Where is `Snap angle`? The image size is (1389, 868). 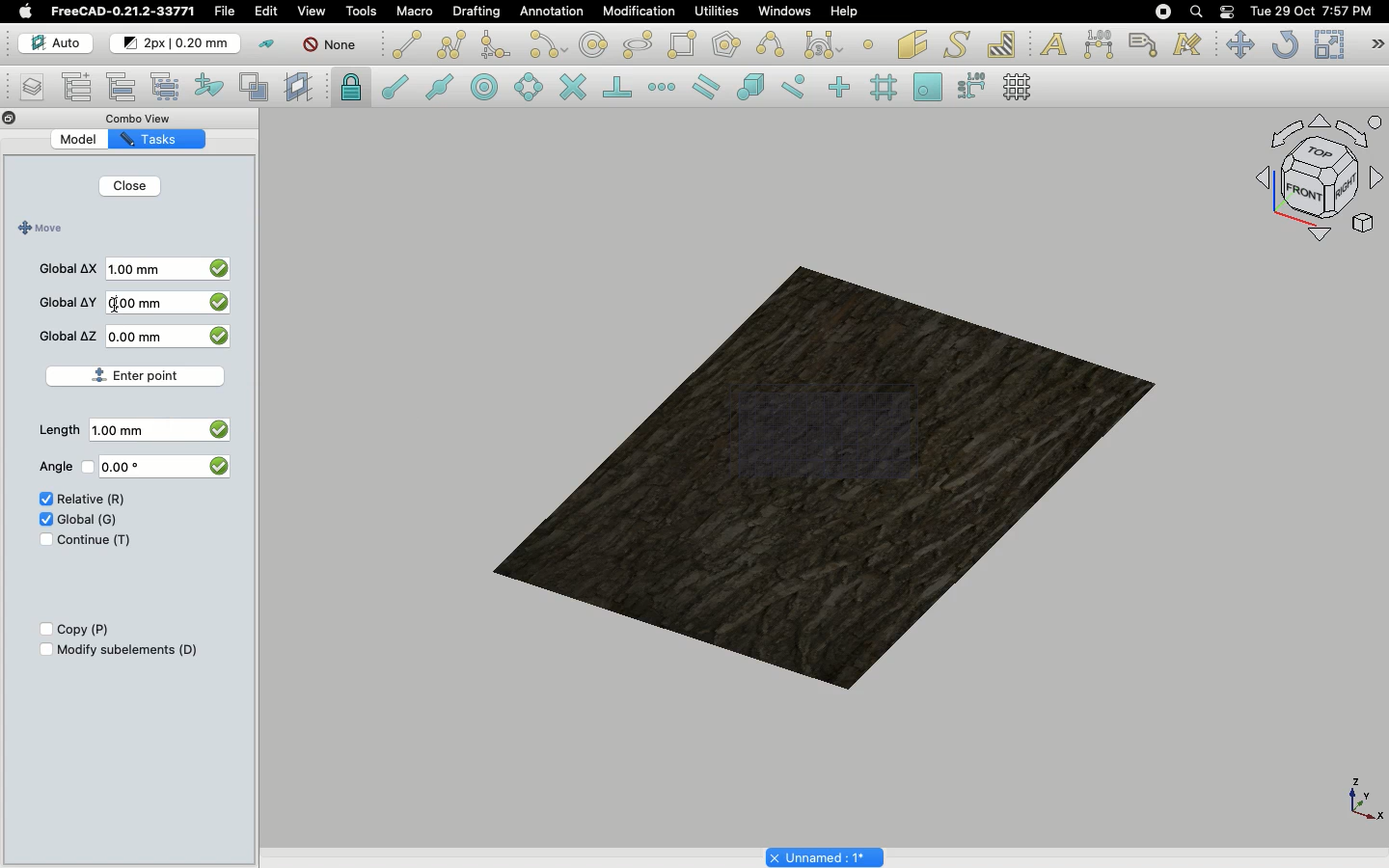 Snap angle is located at coordinates (530, 89).